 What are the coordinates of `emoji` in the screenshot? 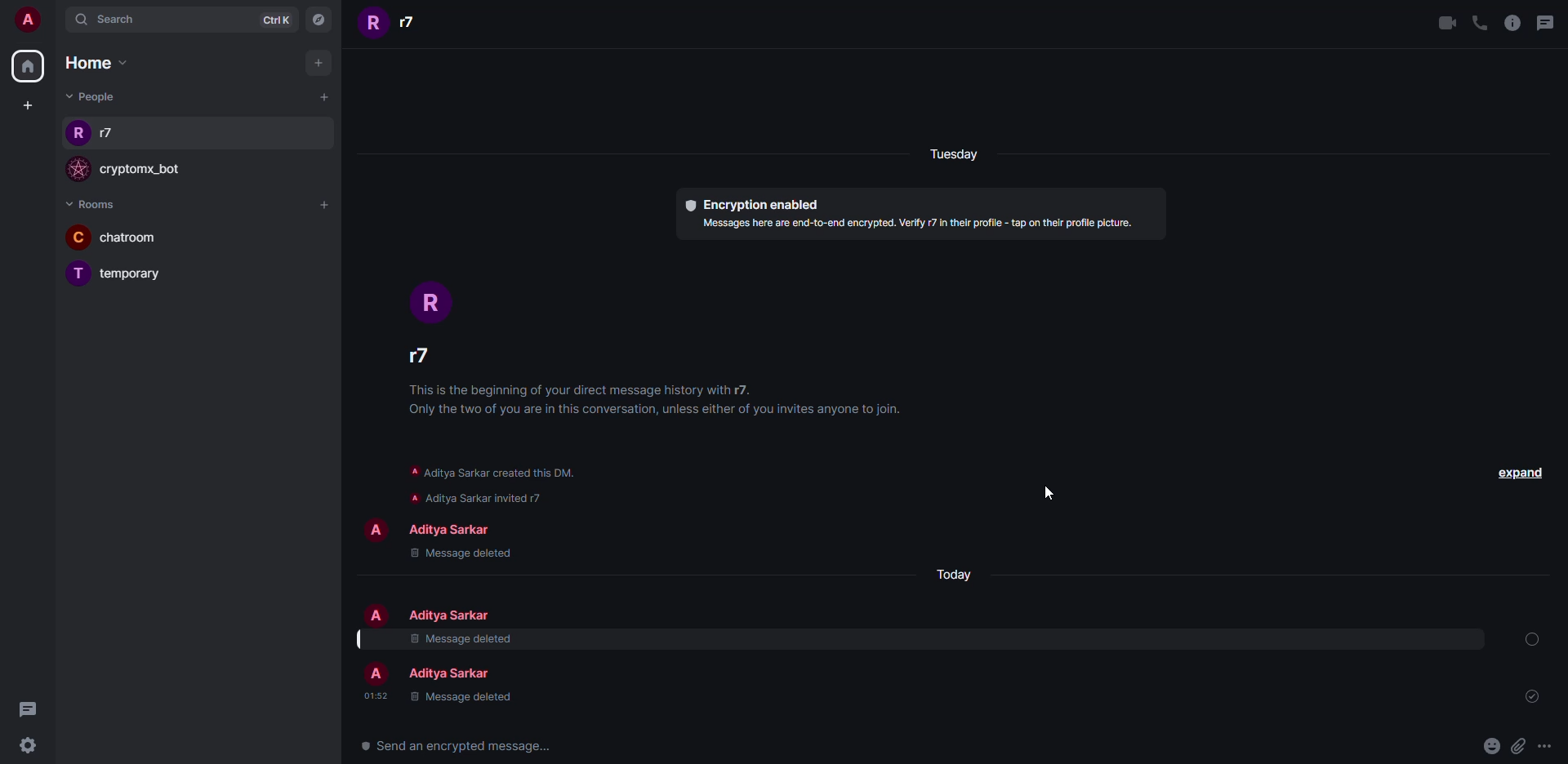 It's located at (1490, 744).